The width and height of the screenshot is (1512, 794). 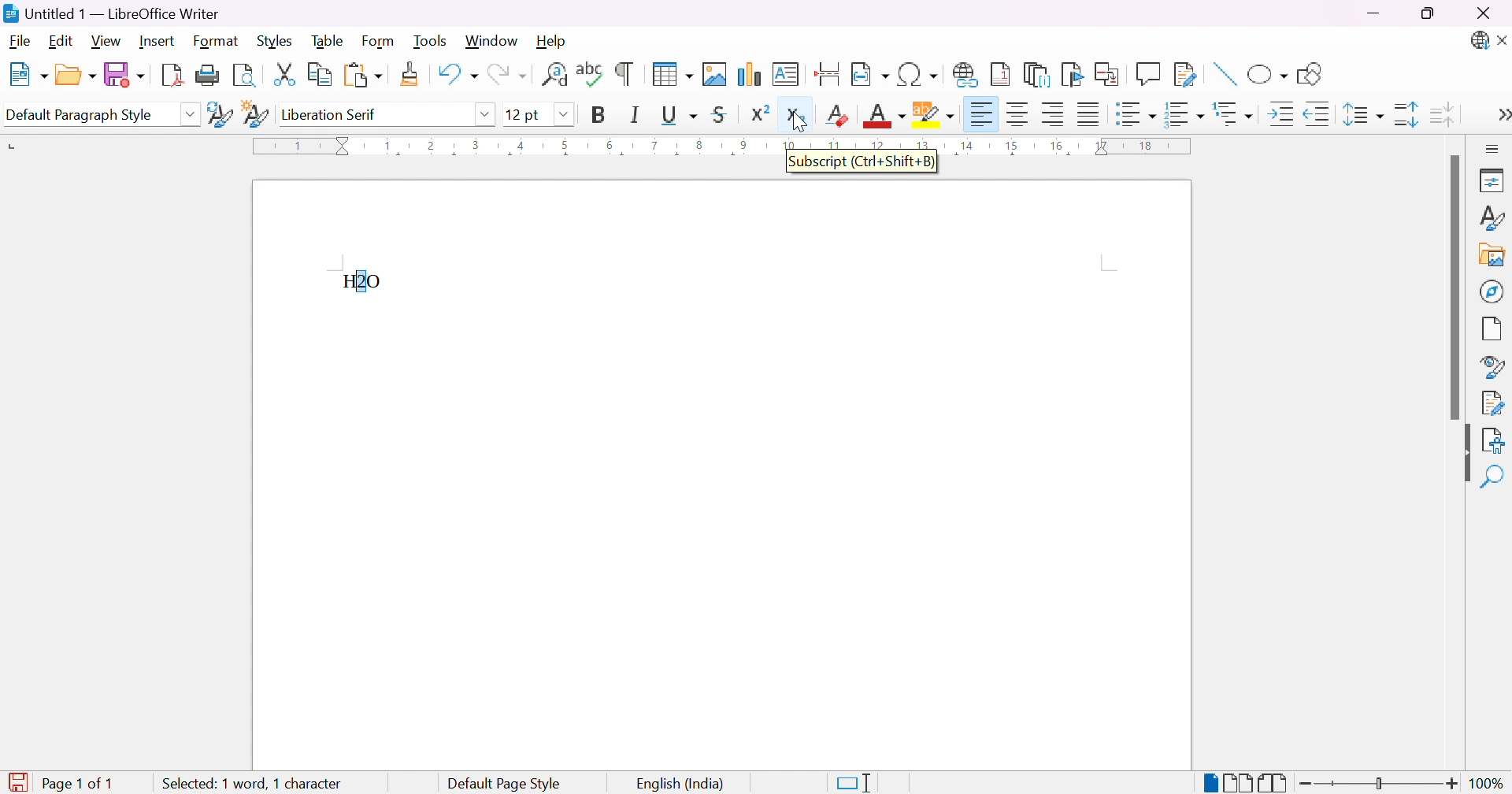 What do you see at coordinates (1453, 288) in the screenshot?
I see `Scroll bar` at bounding box center [1453, 288].